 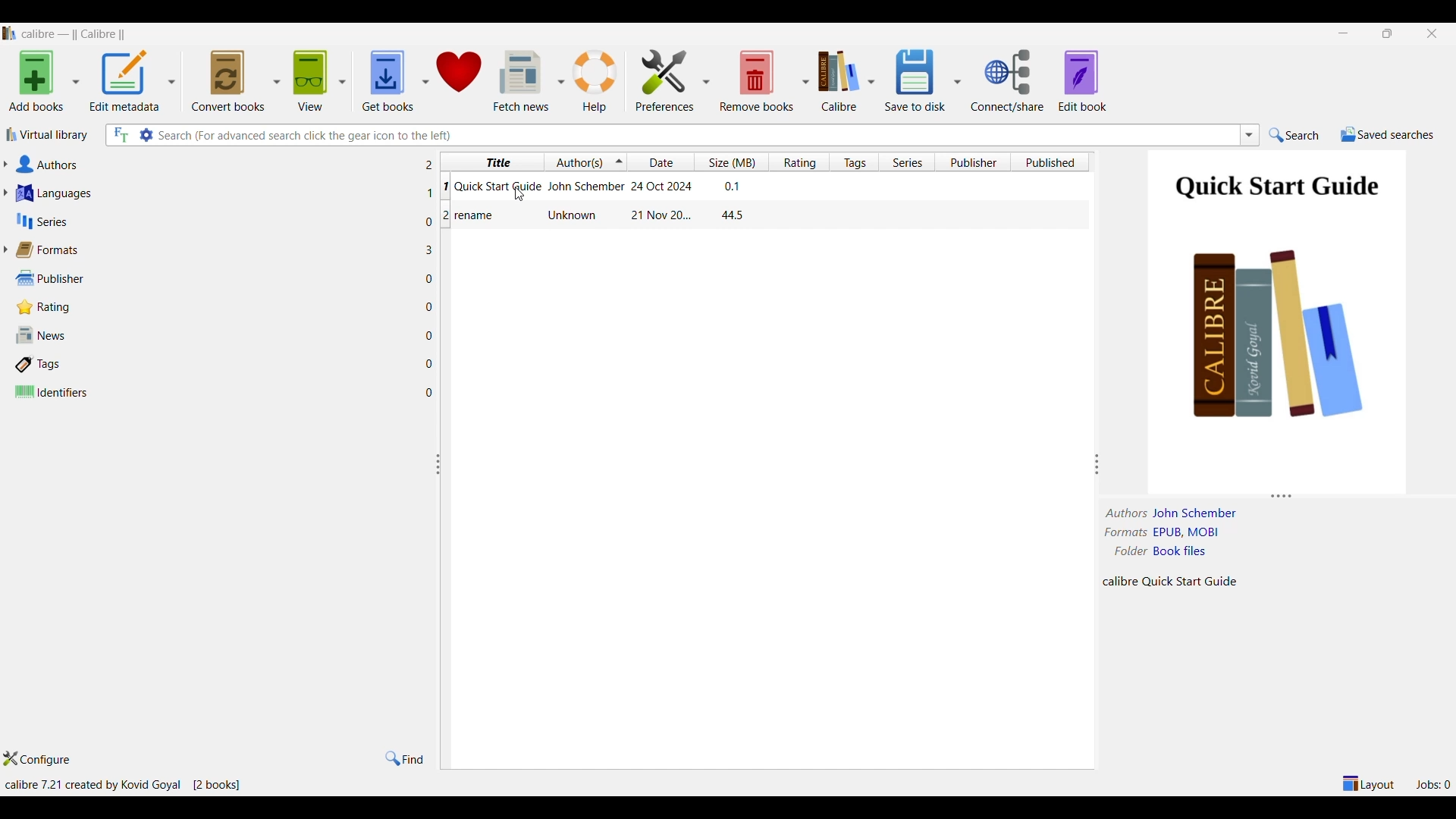 I want to click on Fetch news, so click(x=519, y=81).